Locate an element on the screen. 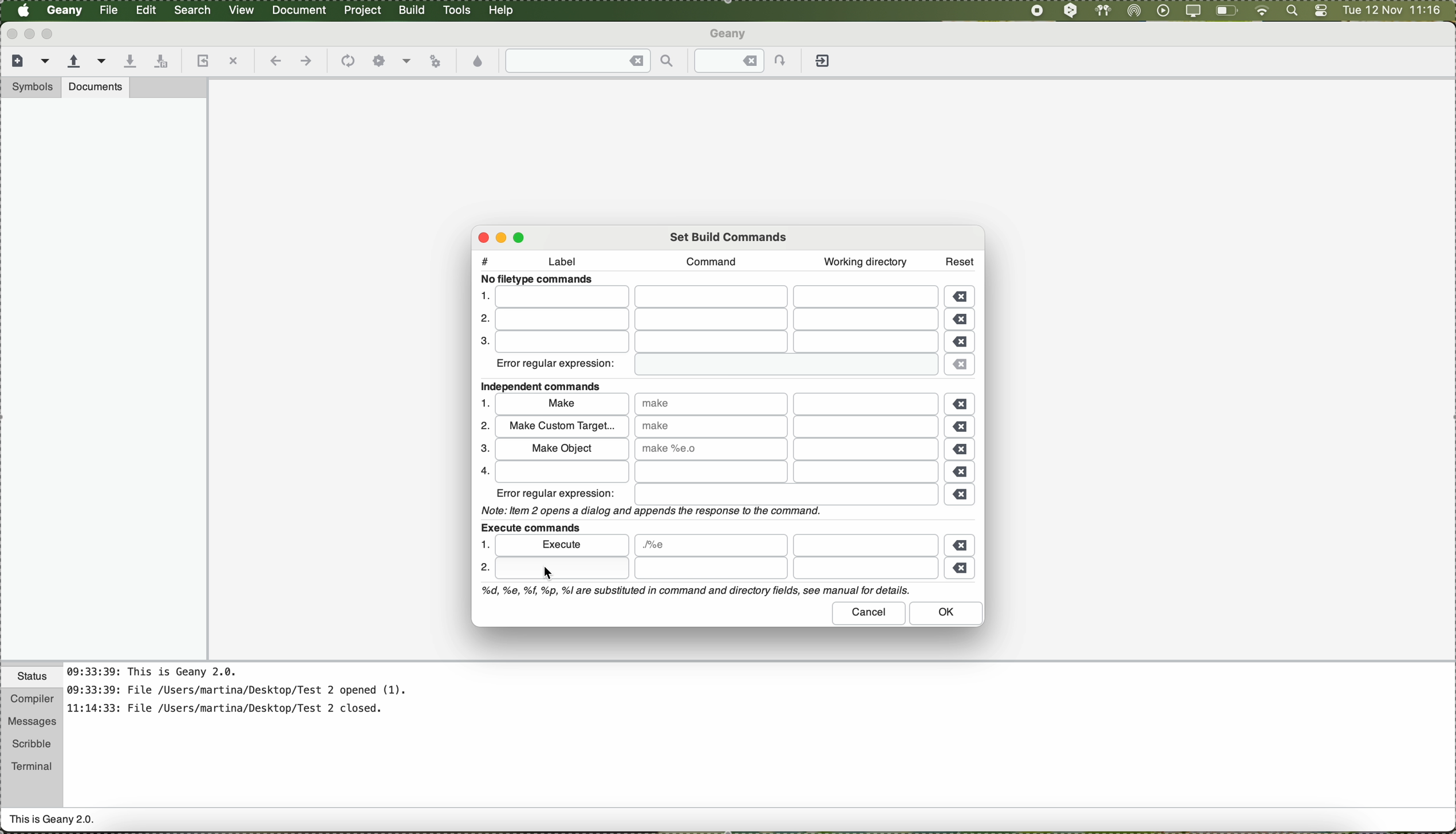 Image resolution: width=1456 pixels, height=834 pixels. create a new file from a template is located at coordinates (47, 62).